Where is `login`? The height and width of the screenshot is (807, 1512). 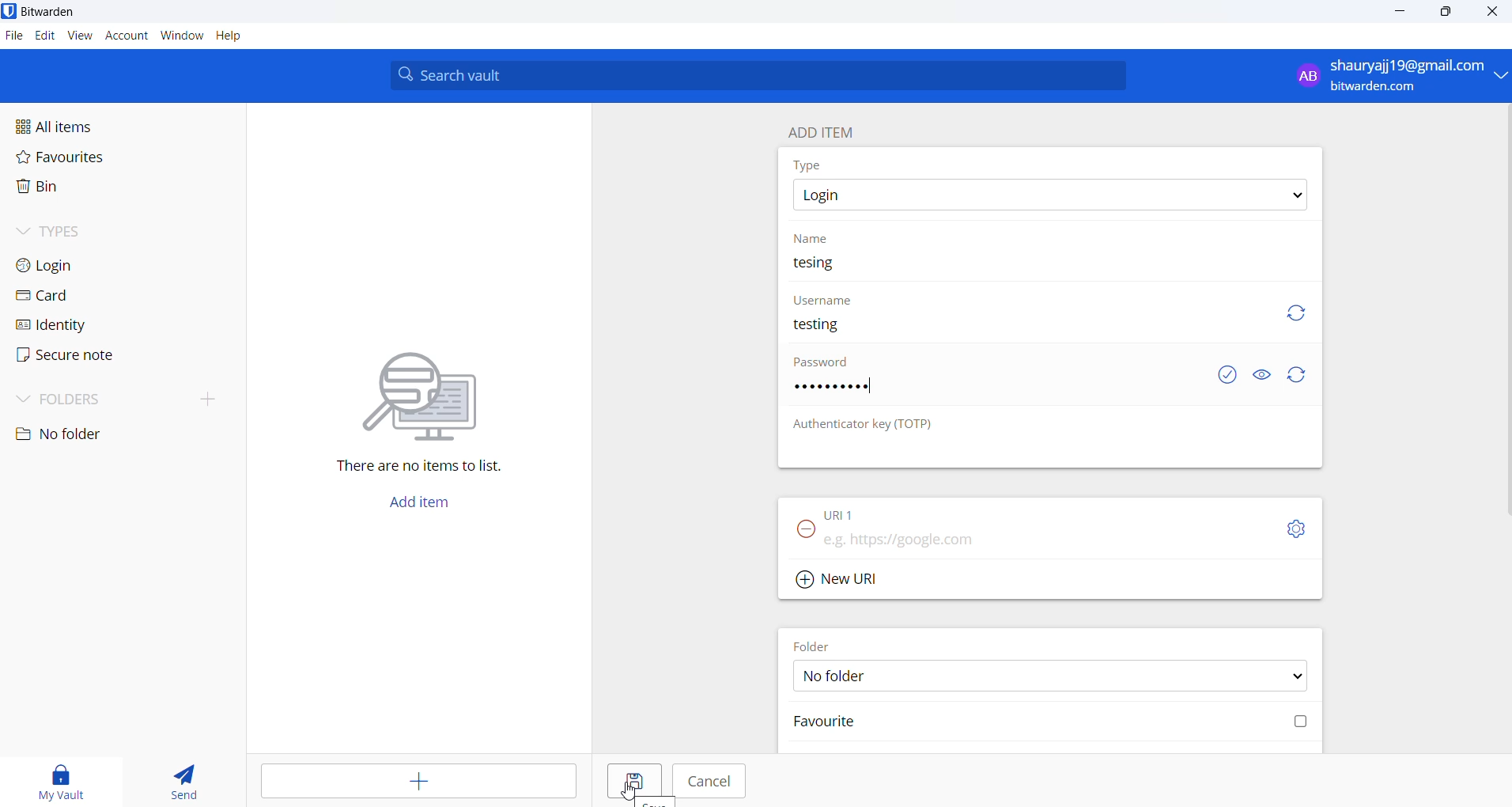
login is located at coordinates (71, 264).